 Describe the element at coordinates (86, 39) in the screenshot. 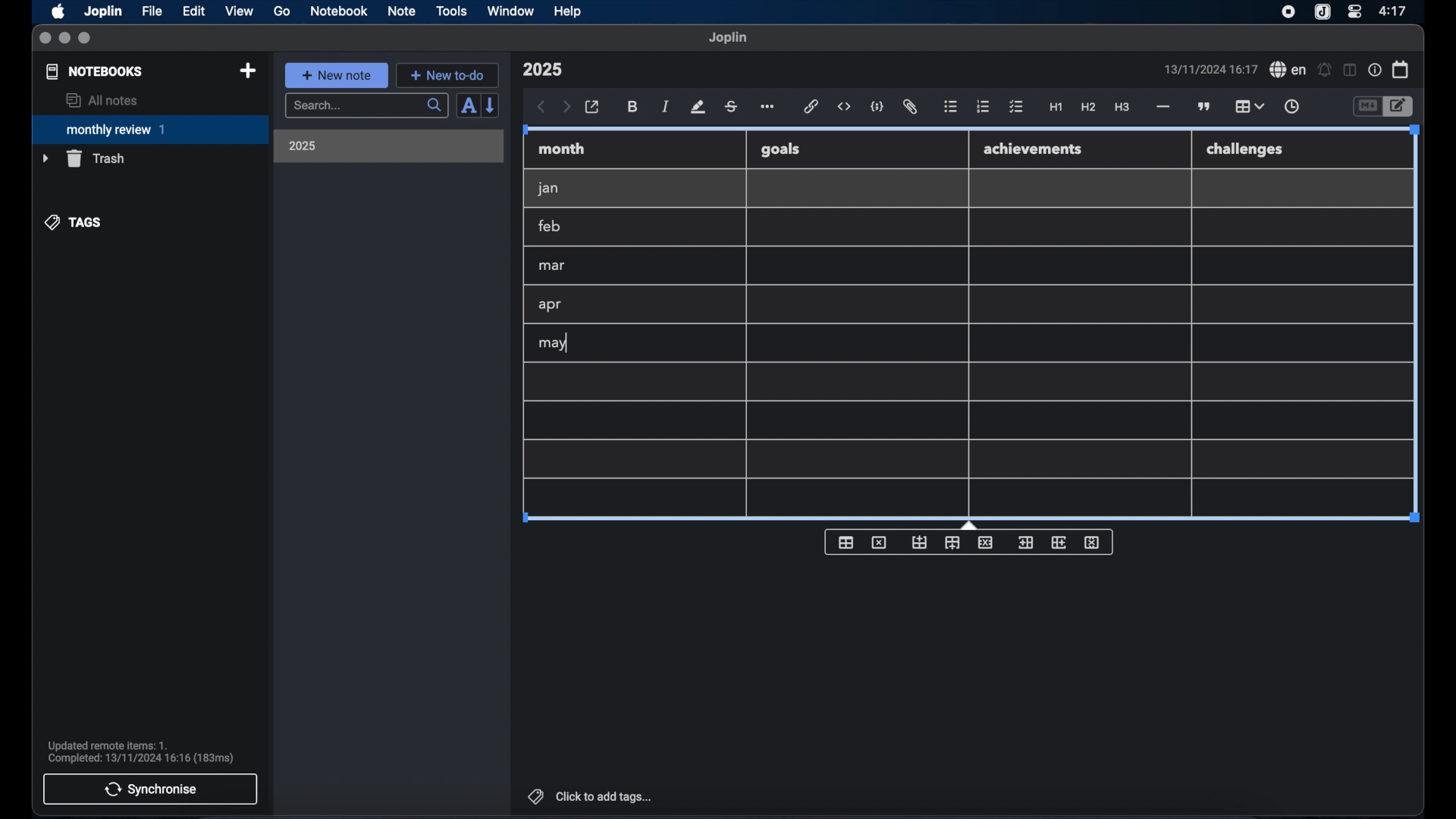

I see `maximize` at that location.